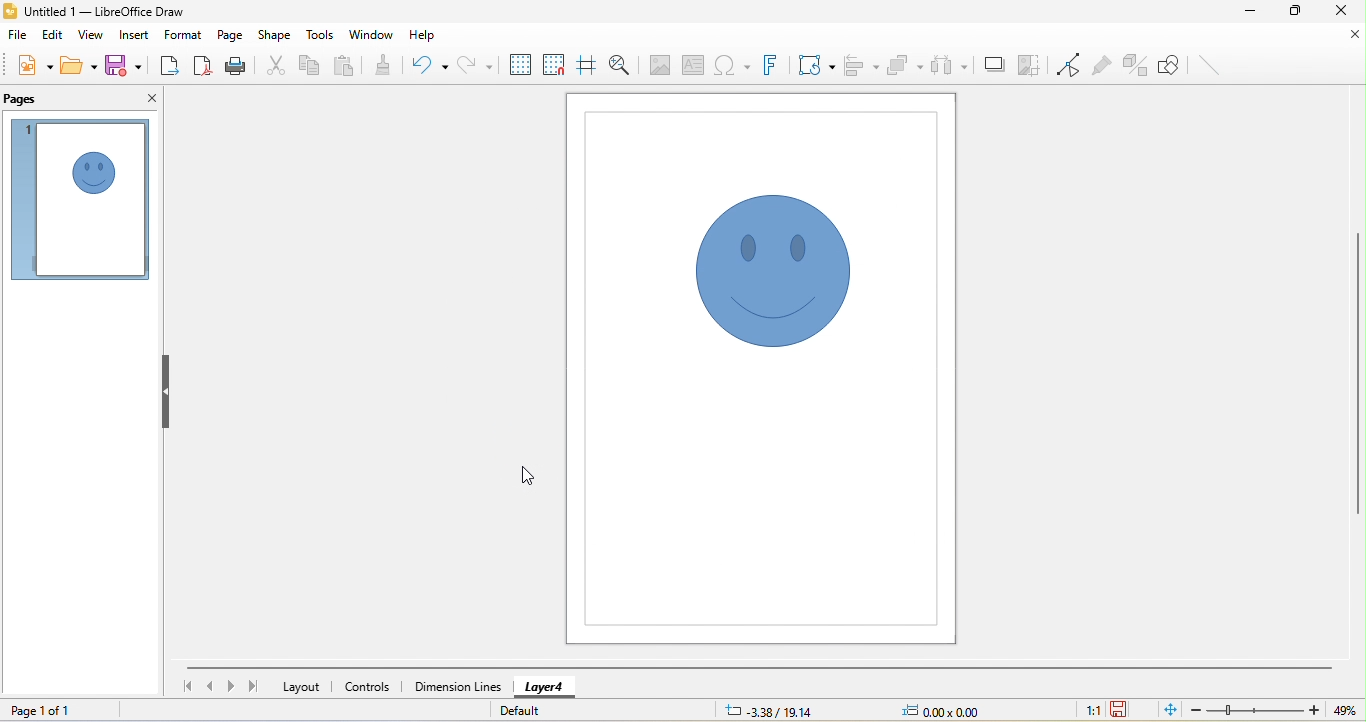 The image size is (1366, 722). What do you see at coordinates (556, 68) in the screenshot?
I see `snap to grids` at bounding box center [556, 68].